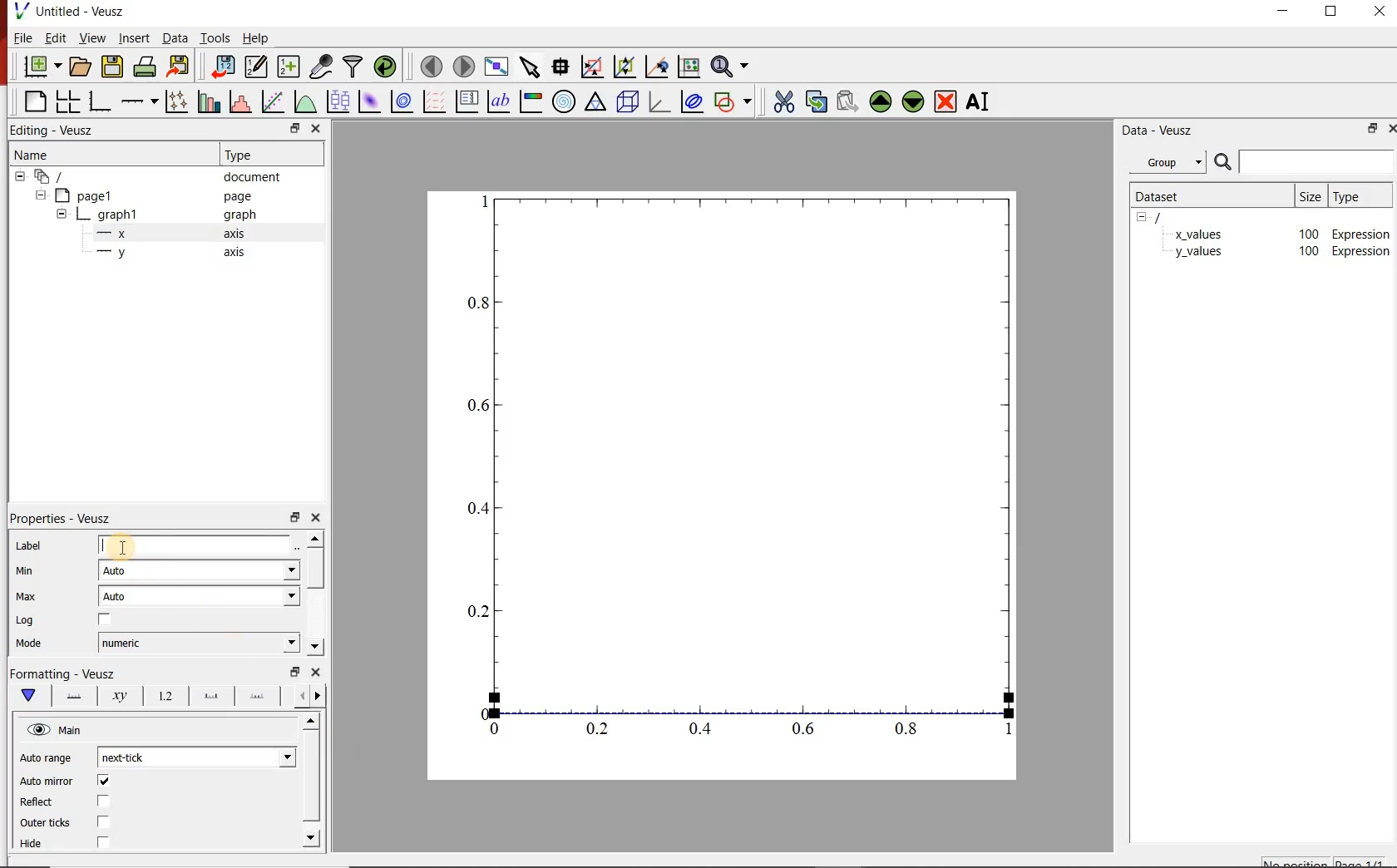  What do you see at coordinates (295, 515) in the screenshot?
I see `restore down` at bounding box center [295, 515].